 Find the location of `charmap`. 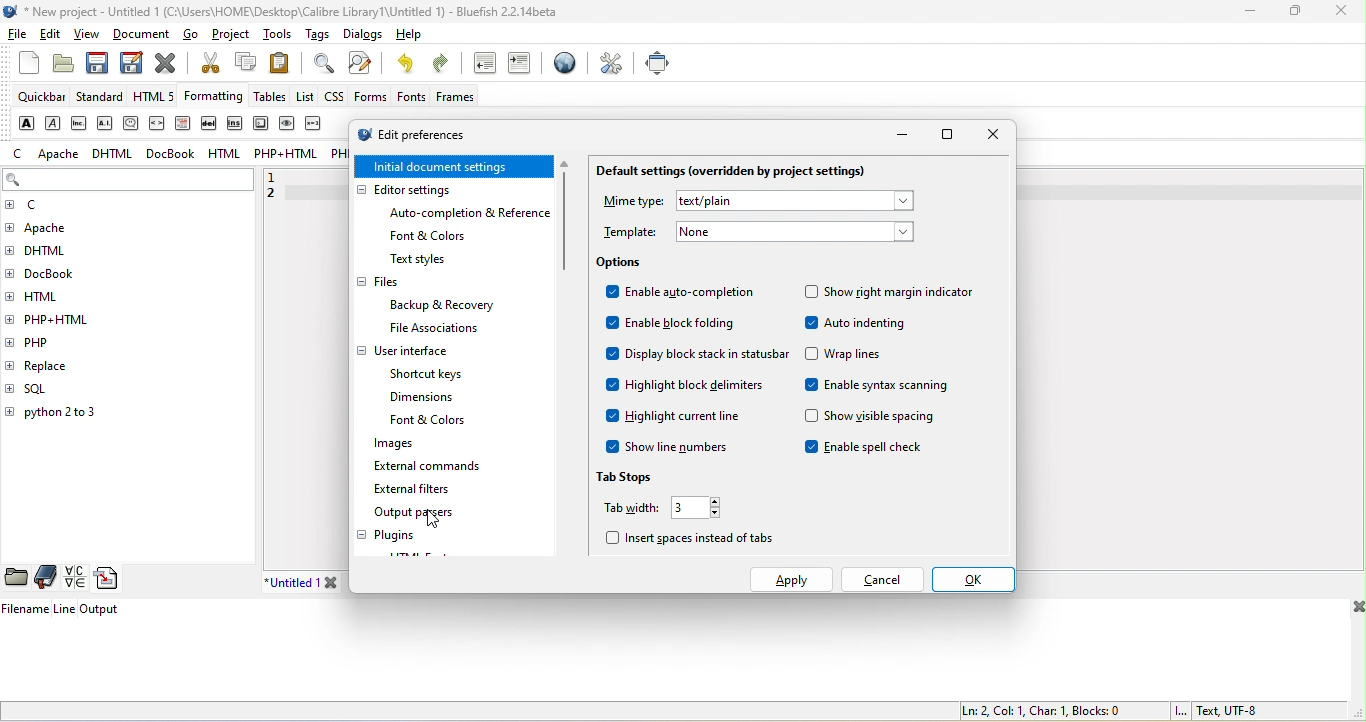

charmap is located at coordinates (74, 578).